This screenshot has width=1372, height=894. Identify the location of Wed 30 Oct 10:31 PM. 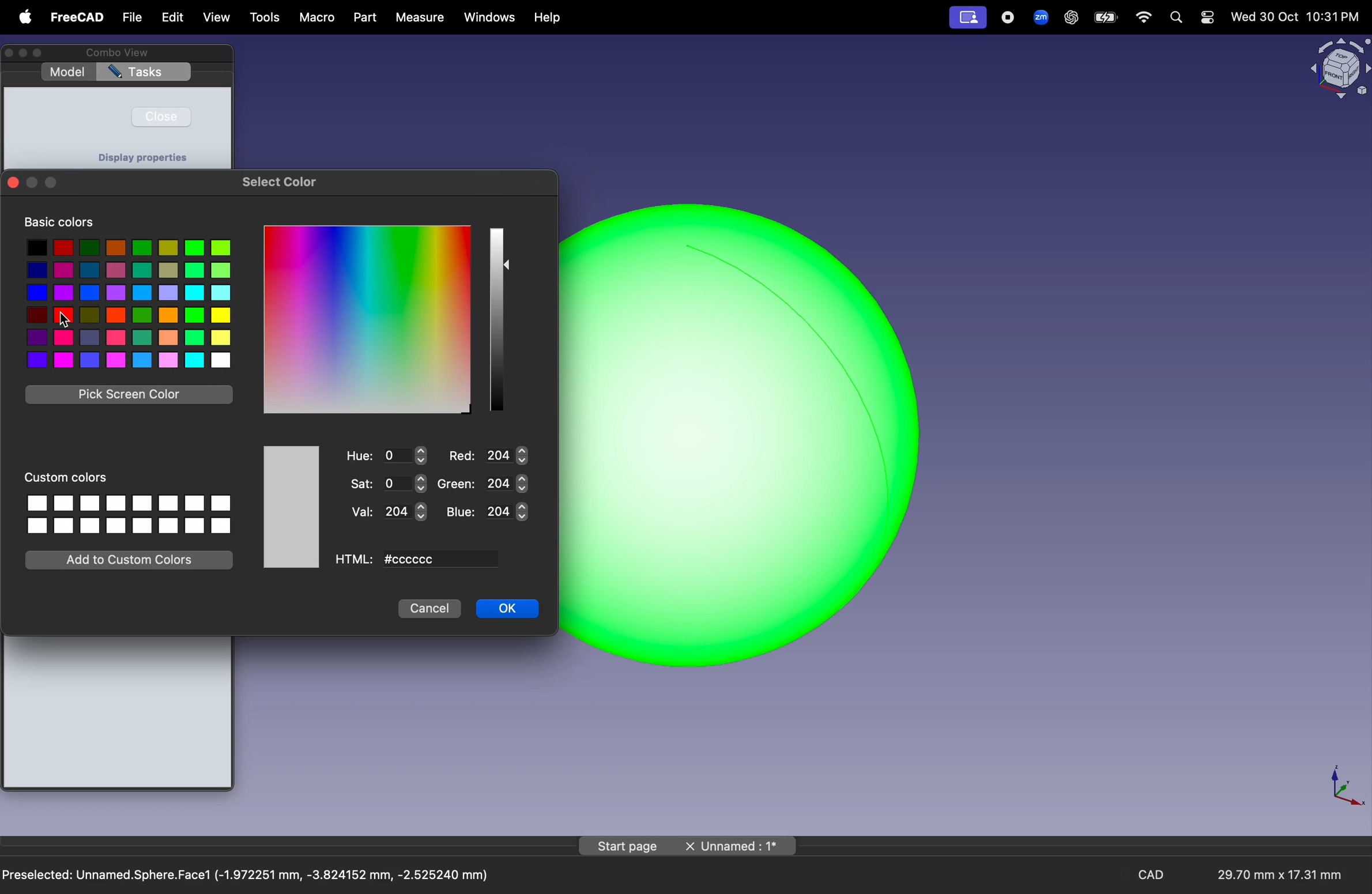
(1294, 17).